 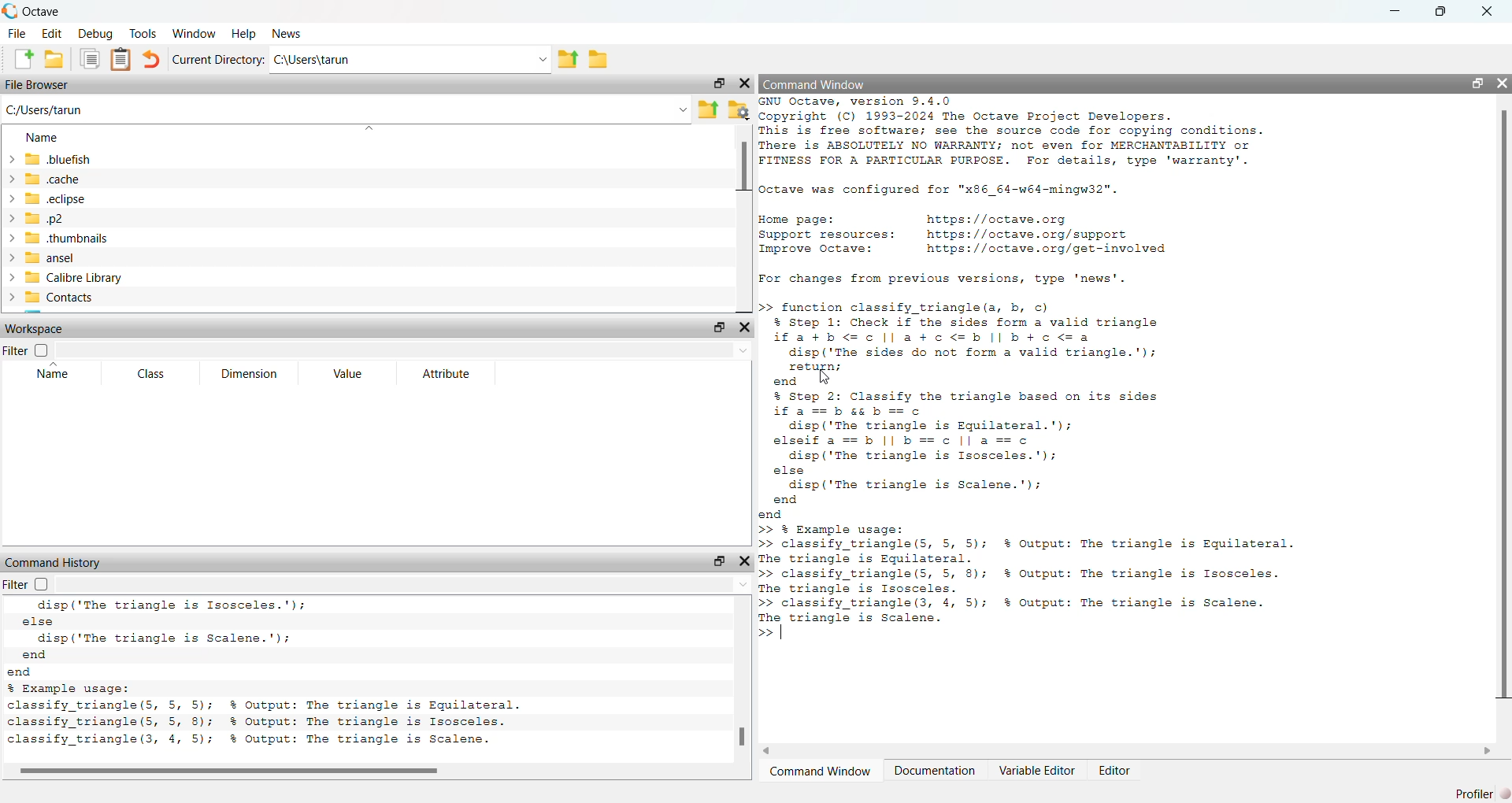 What do you see at coordinates (598, 58) in the screenshot?
I see `browse directories` at bounding box center [598, 58].